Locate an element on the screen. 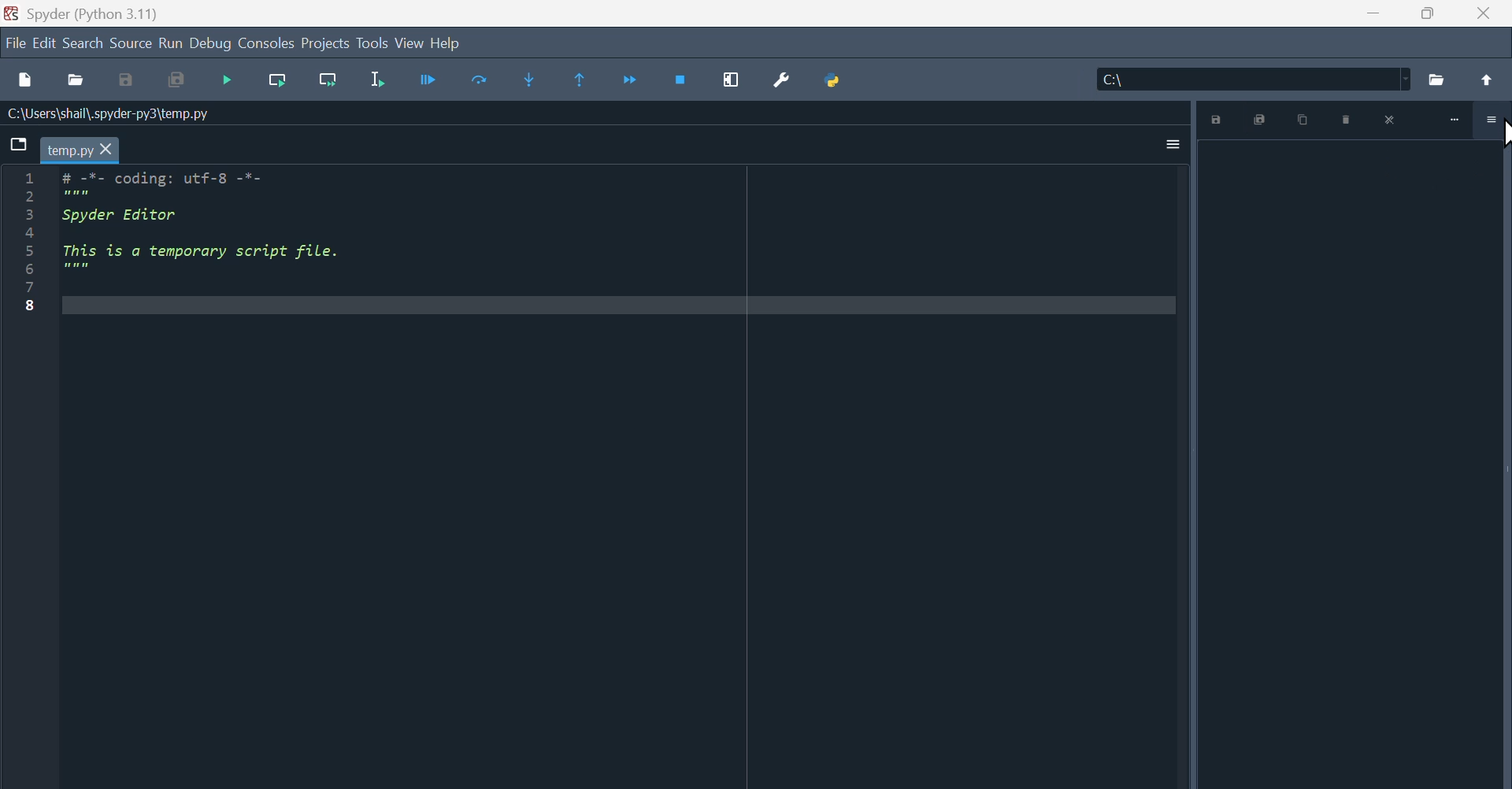 This screenshot has height=789, width=1512. Project is located at coordinates (326, 43).